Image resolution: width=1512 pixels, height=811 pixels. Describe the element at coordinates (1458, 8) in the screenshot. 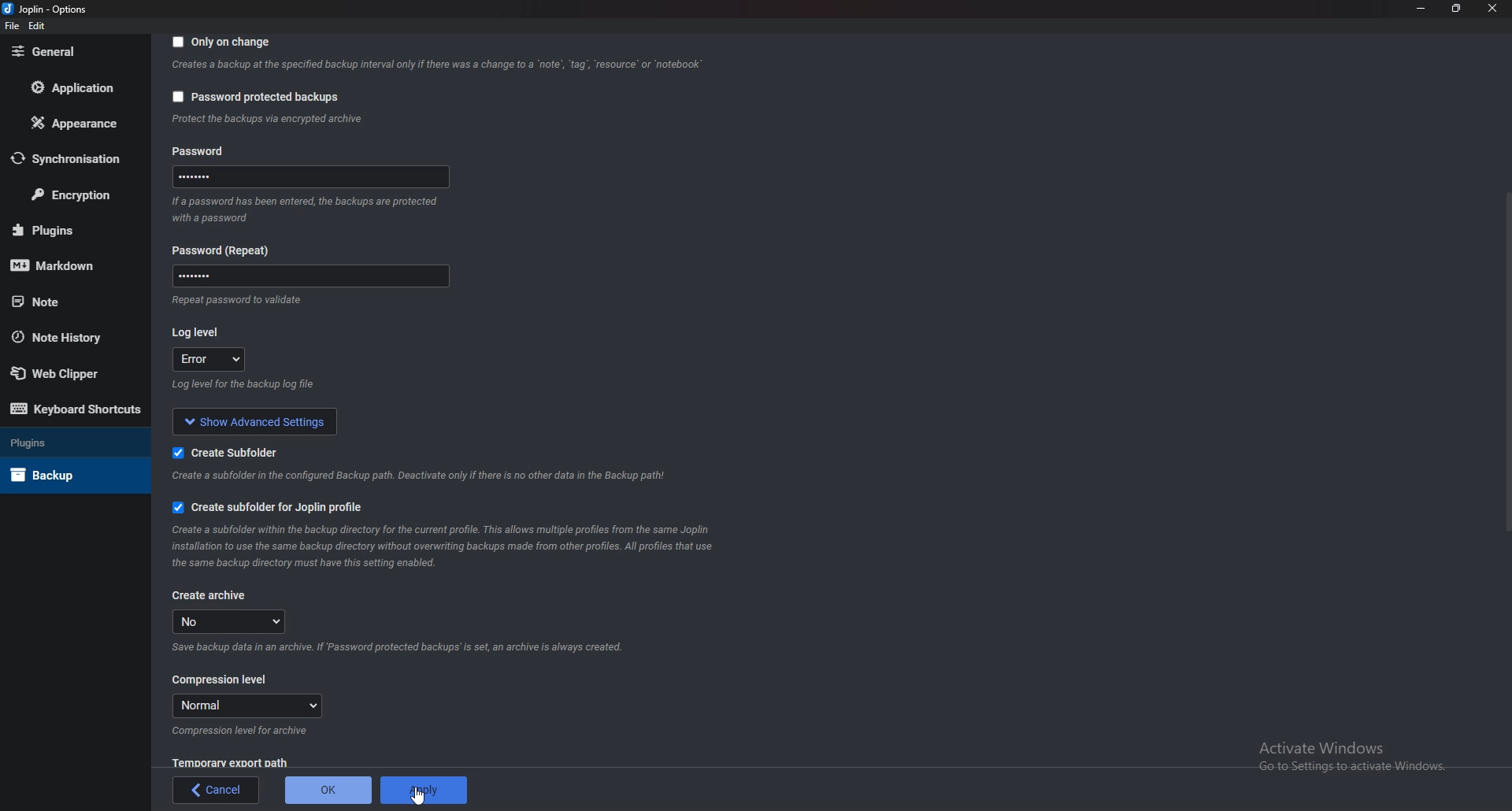

I see `resize` at that location.